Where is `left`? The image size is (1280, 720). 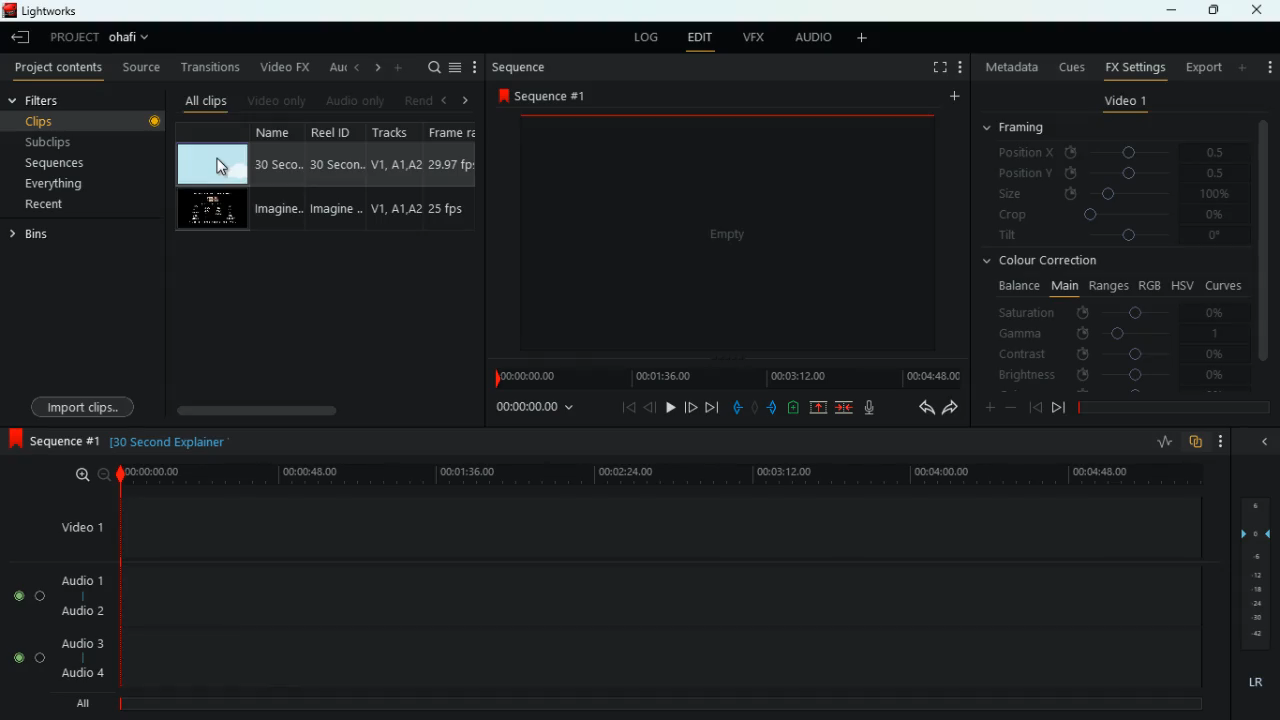
left is located at coordinates (358, 68).